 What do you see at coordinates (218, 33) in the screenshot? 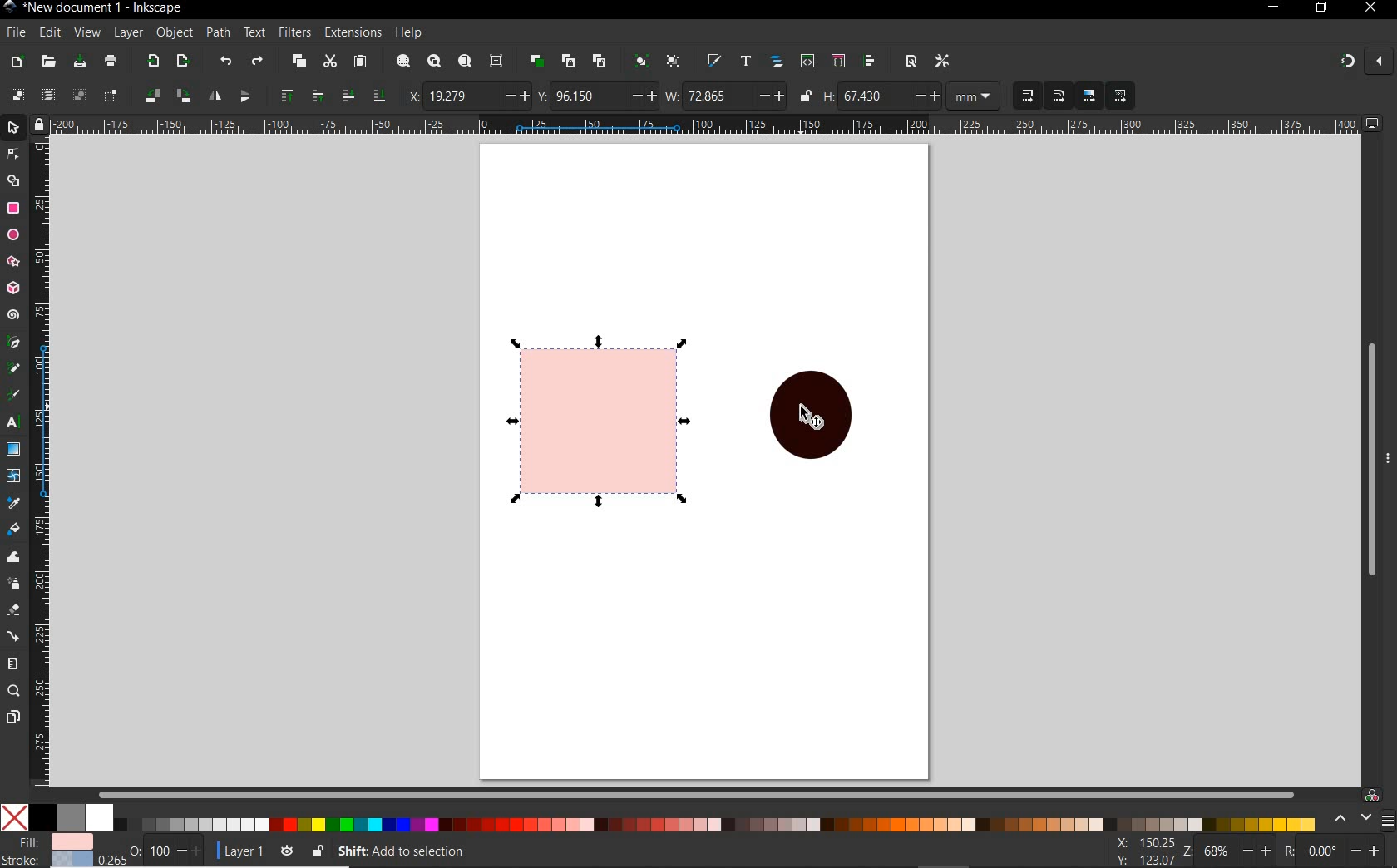
I see `path` at bounding box center [218, 33].